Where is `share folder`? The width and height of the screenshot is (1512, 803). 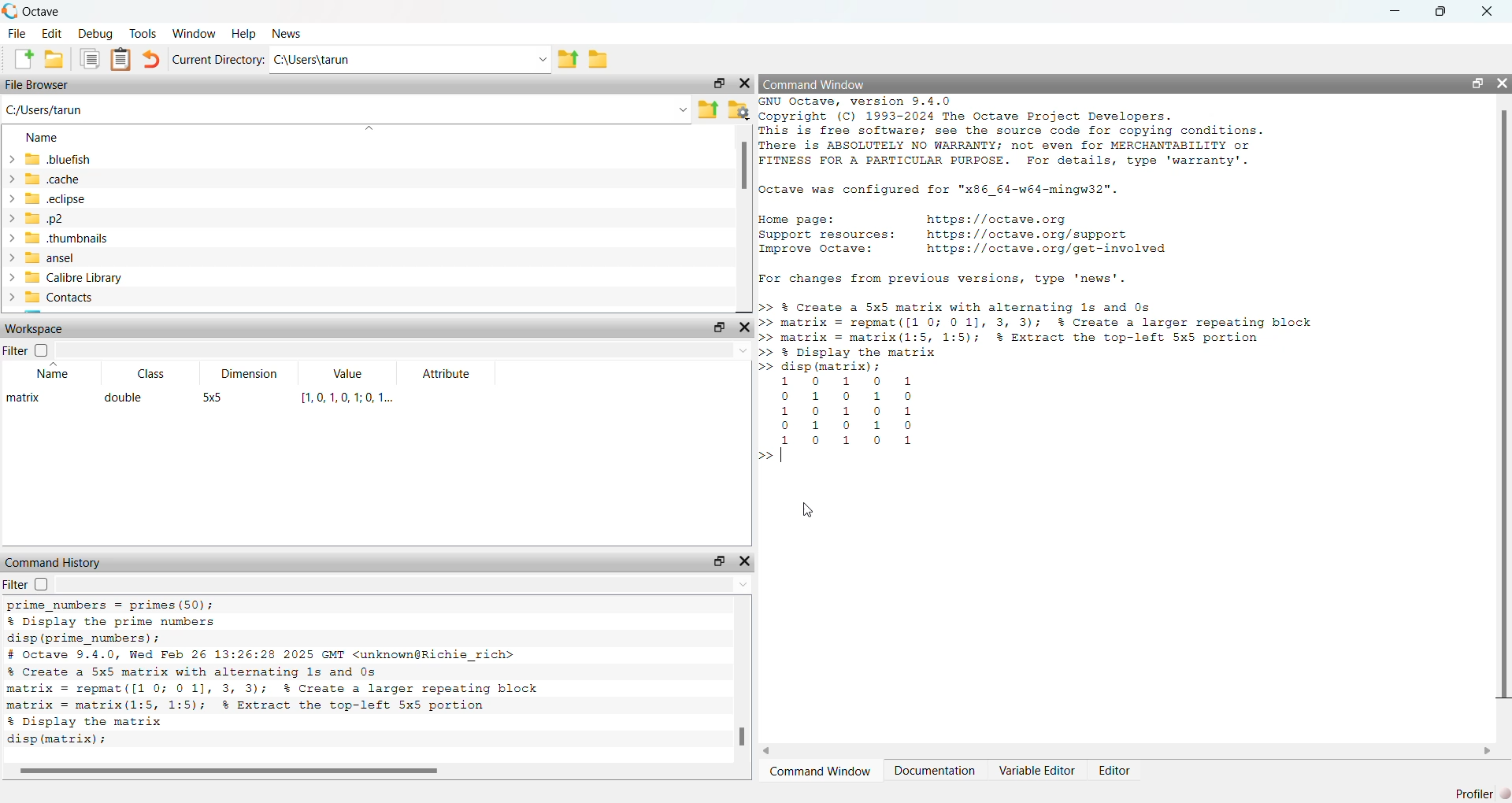
share folder is located at coordinates (567, 60).